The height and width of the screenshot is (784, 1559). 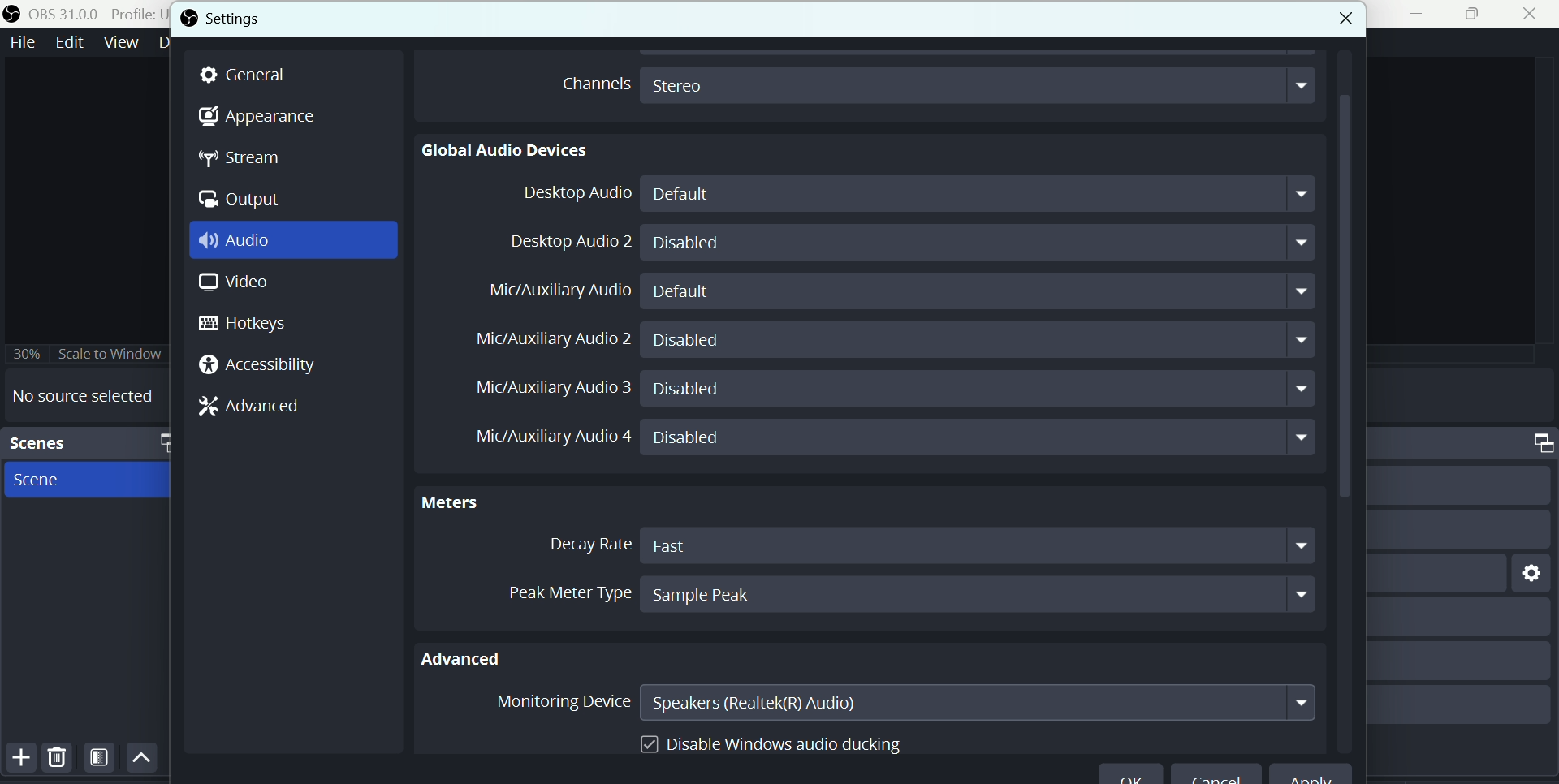 What do you see at coordinates (262, 366) in the screenshot?
I see `Accessibility` at bounding box center [262, 366].